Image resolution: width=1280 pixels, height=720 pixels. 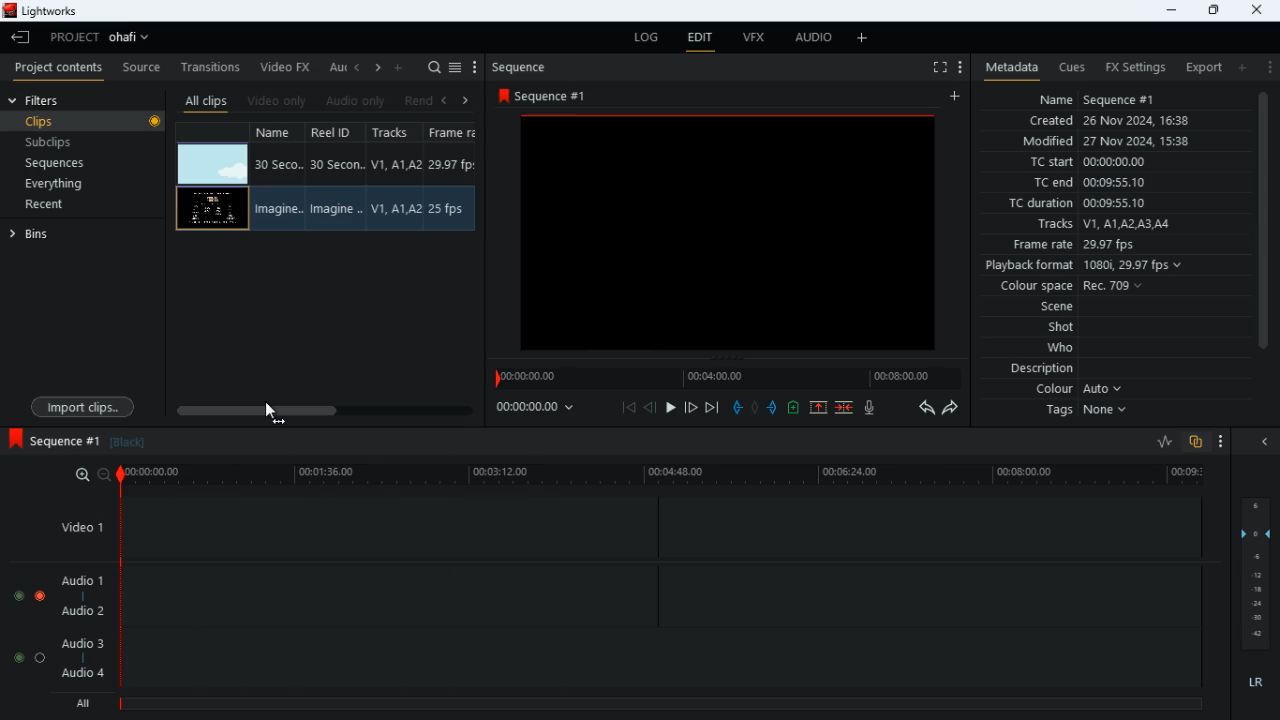 I want to click on name, so click(x=277, y=177).